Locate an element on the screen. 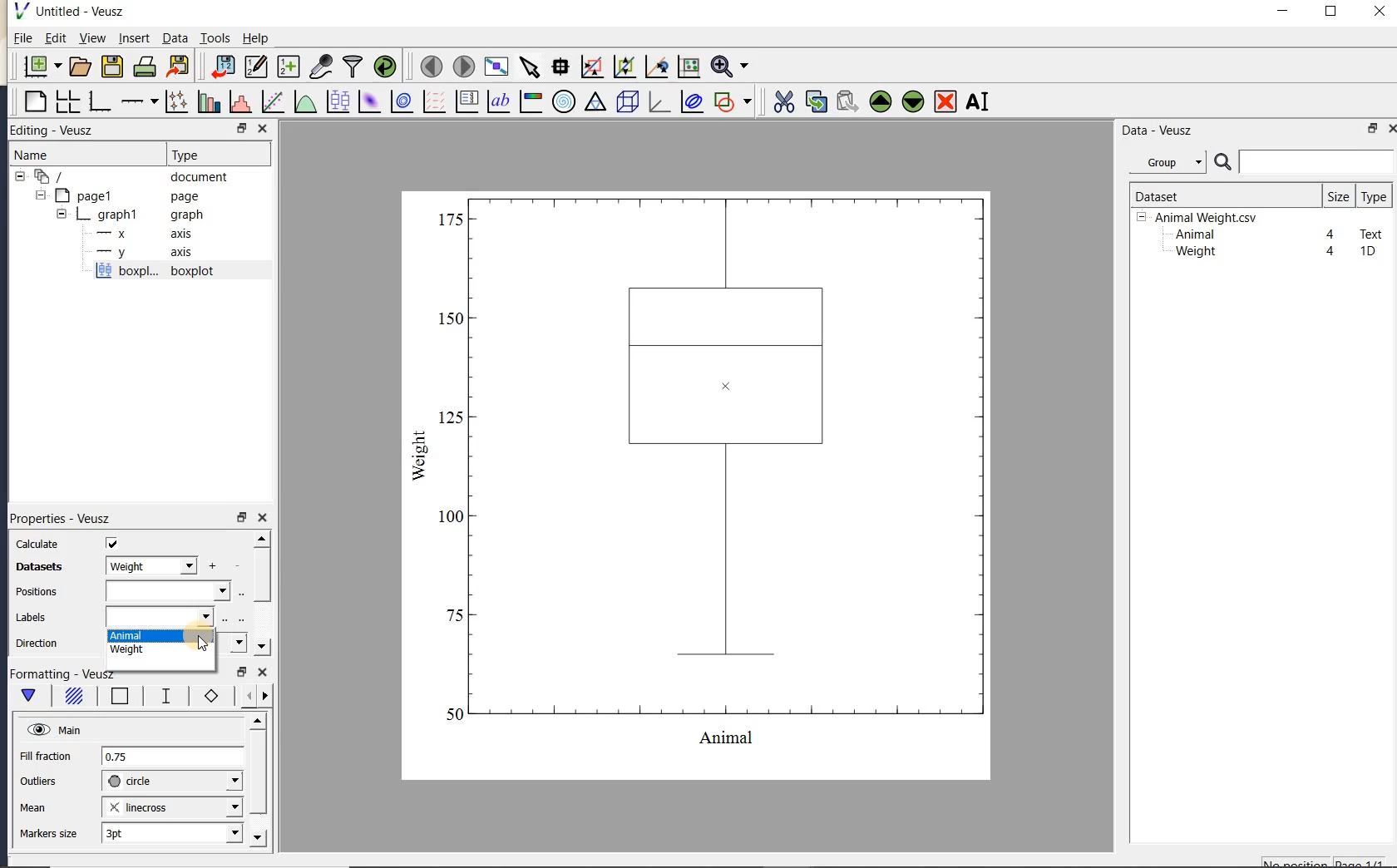  click to reset graph axes is located at coordinates (689, 67).